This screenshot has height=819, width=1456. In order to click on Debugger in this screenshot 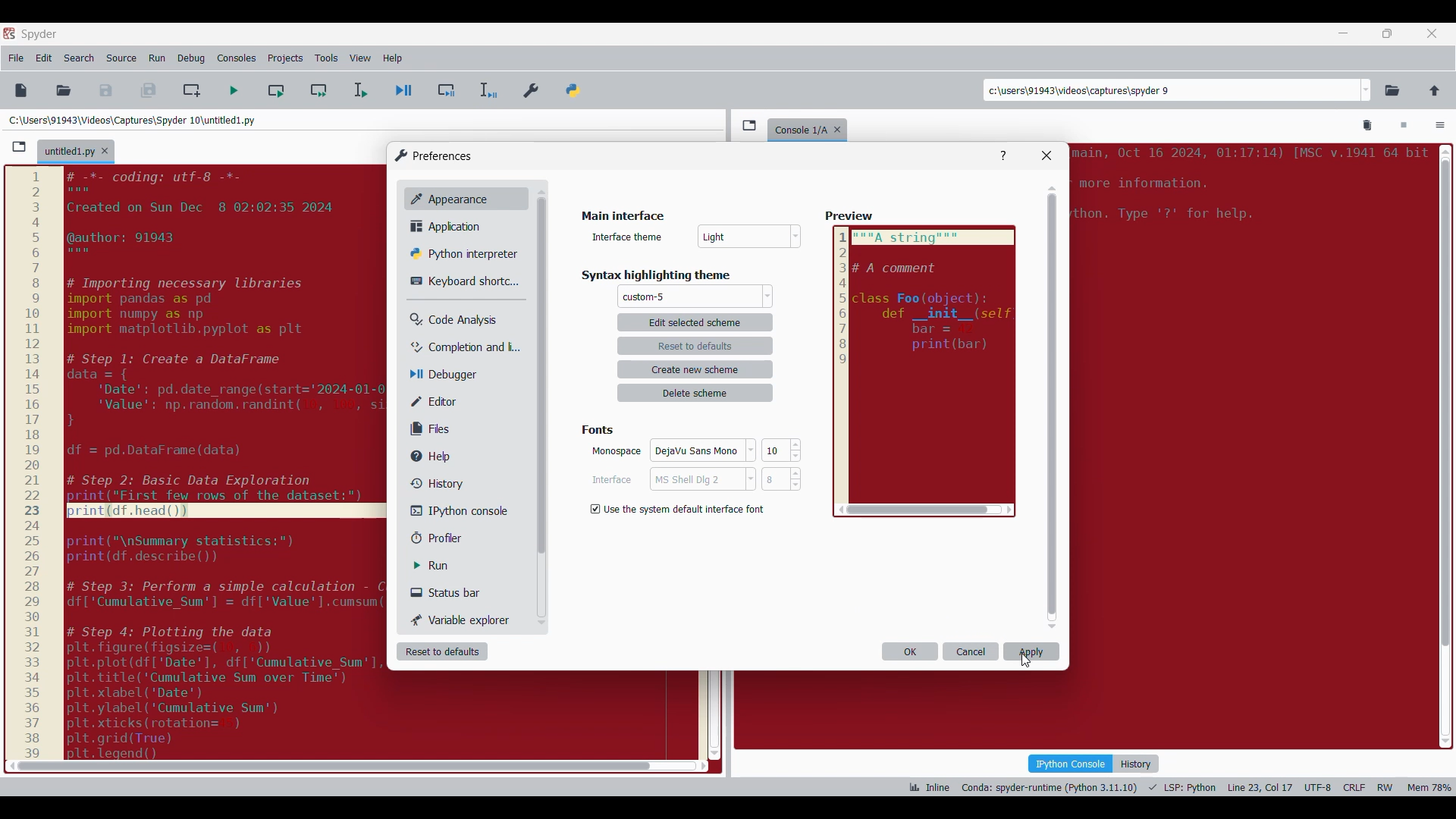, I will do `click(450, 375)`.